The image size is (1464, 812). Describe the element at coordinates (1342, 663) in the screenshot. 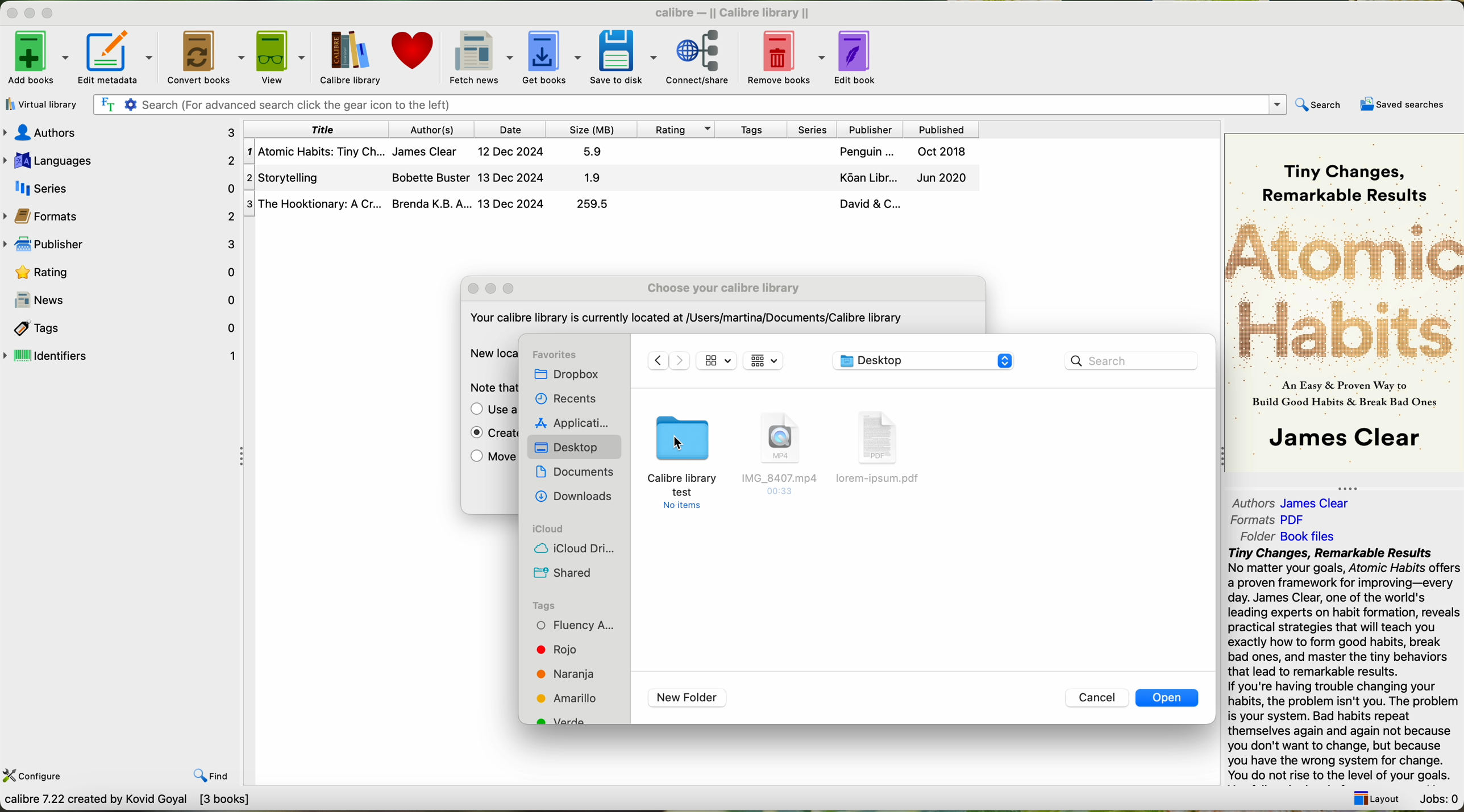

I see `Tiny Changes, Remarkable Results
No matter your goals, Atomic Habits o
a proven framework for improving—ev
day. James Clear, one of the world's
leading experts on habit formation, rex
practical strategies that will teach you
exactly how to form good habits, brea
bad ones, and master the tiny behavio
that lead to remarkable results.

If you're having trouble changing your
habits, the problem isn't you. The prok
is your system. Bad habits repeat
themselves again and again not becat
you don't want to change, but becaus
vou have the wrona svstem for chanas` at that location.